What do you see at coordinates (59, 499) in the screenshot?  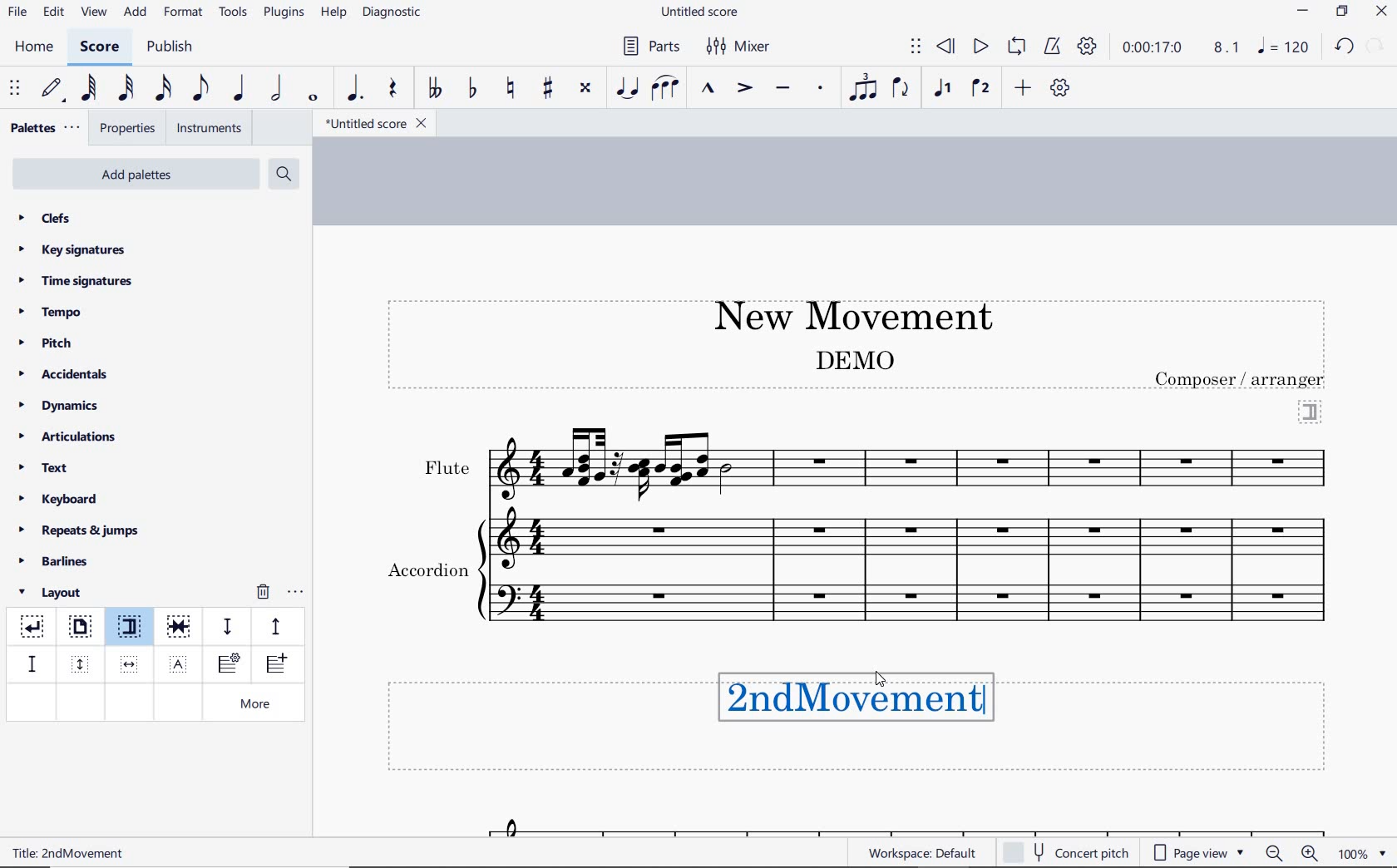 I see `keyboard` at bounding box center [59, 499].